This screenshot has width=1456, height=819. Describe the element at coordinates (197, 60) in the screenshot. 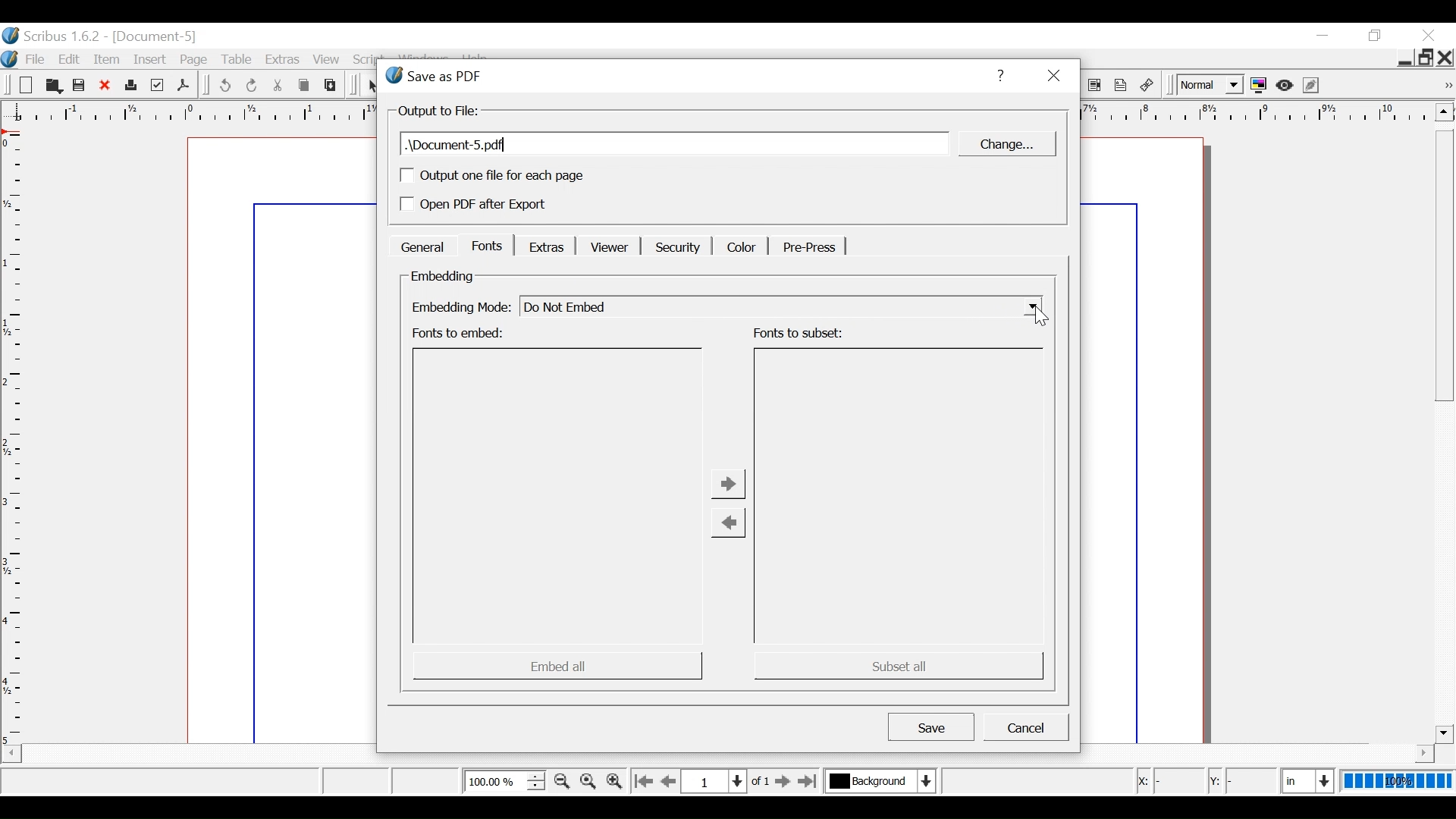

I see `Page` at that location.